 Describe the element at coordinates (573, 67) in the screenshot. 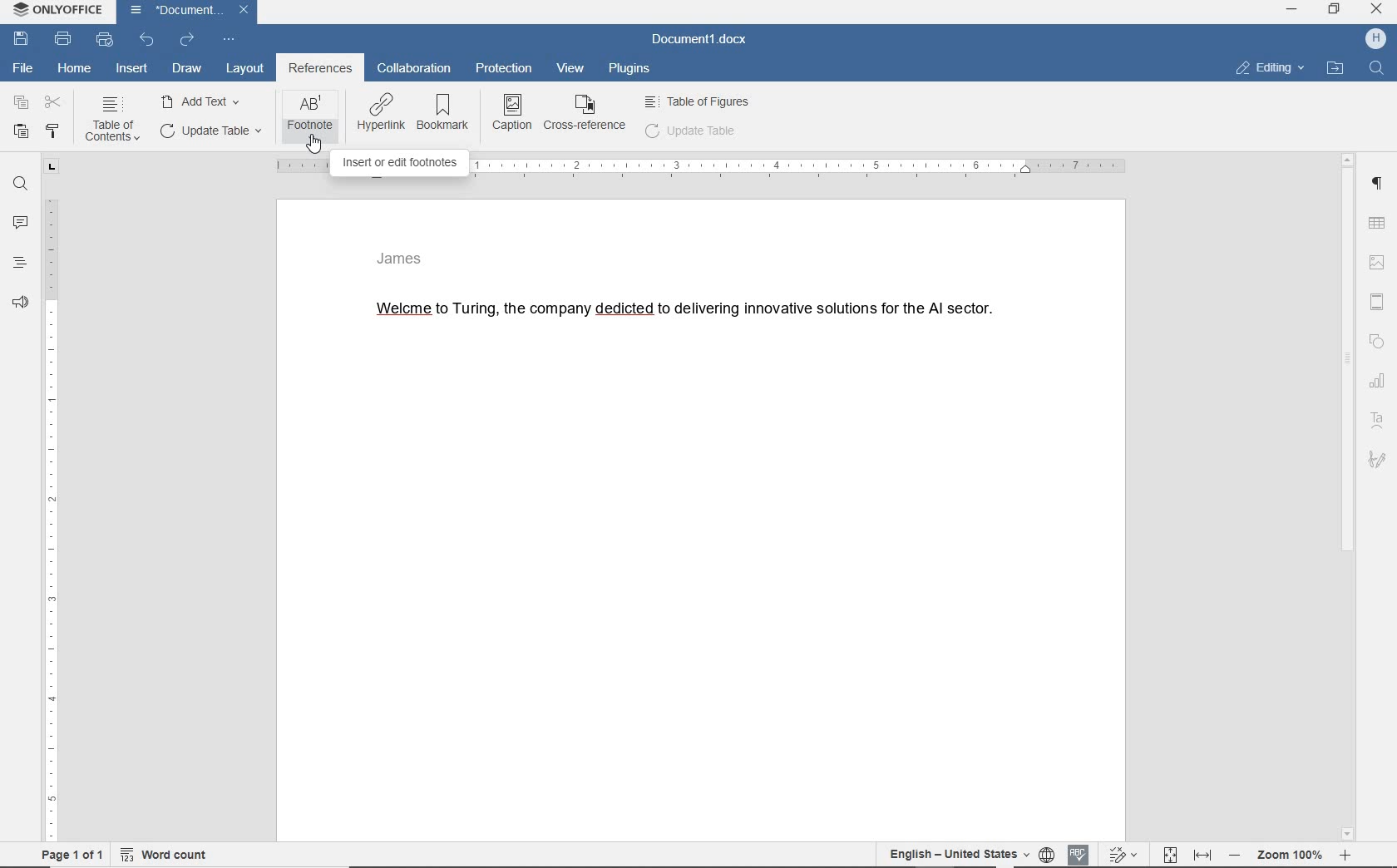

I see `view` at that location.